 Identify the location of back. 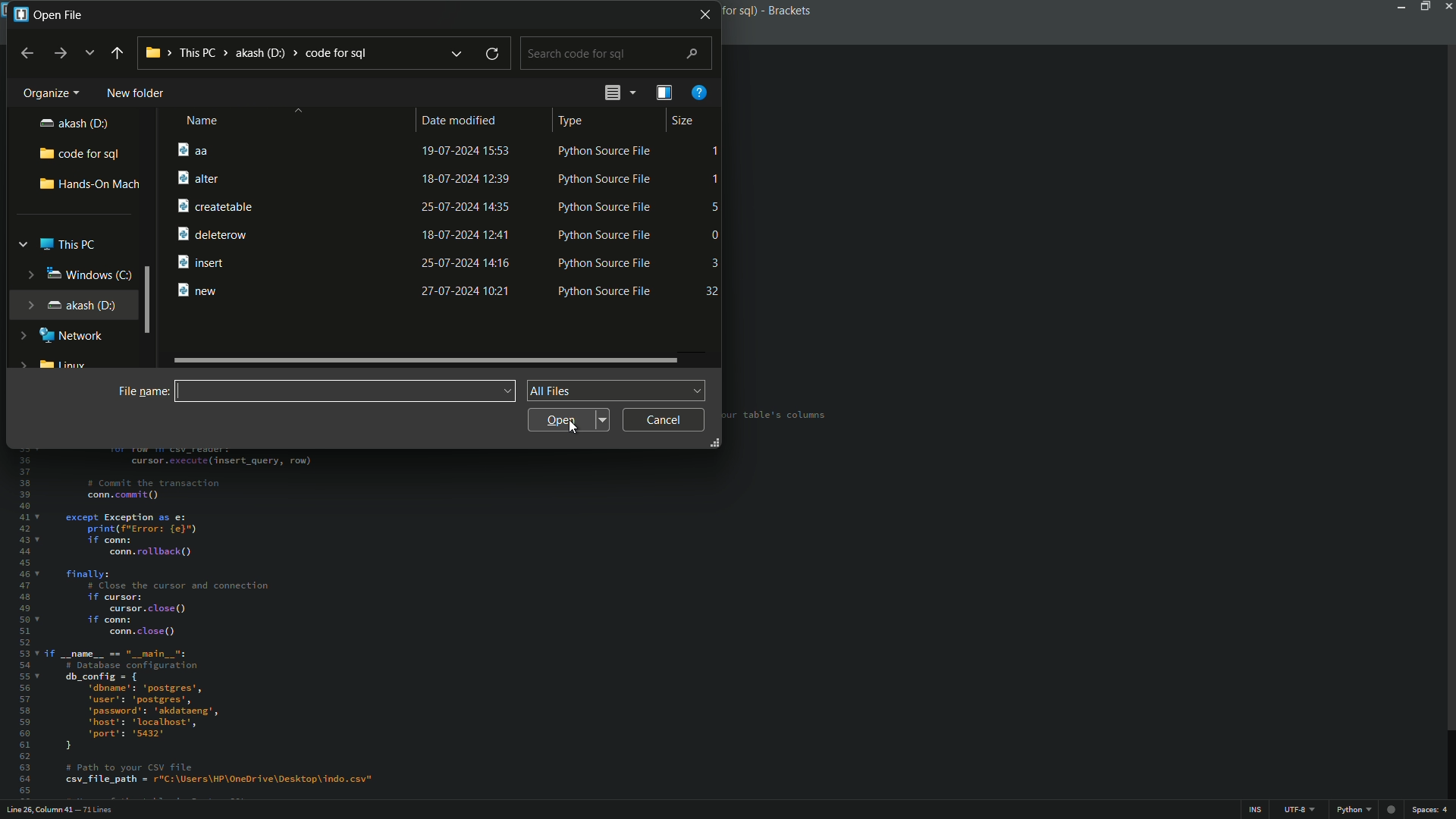
(28, 52).